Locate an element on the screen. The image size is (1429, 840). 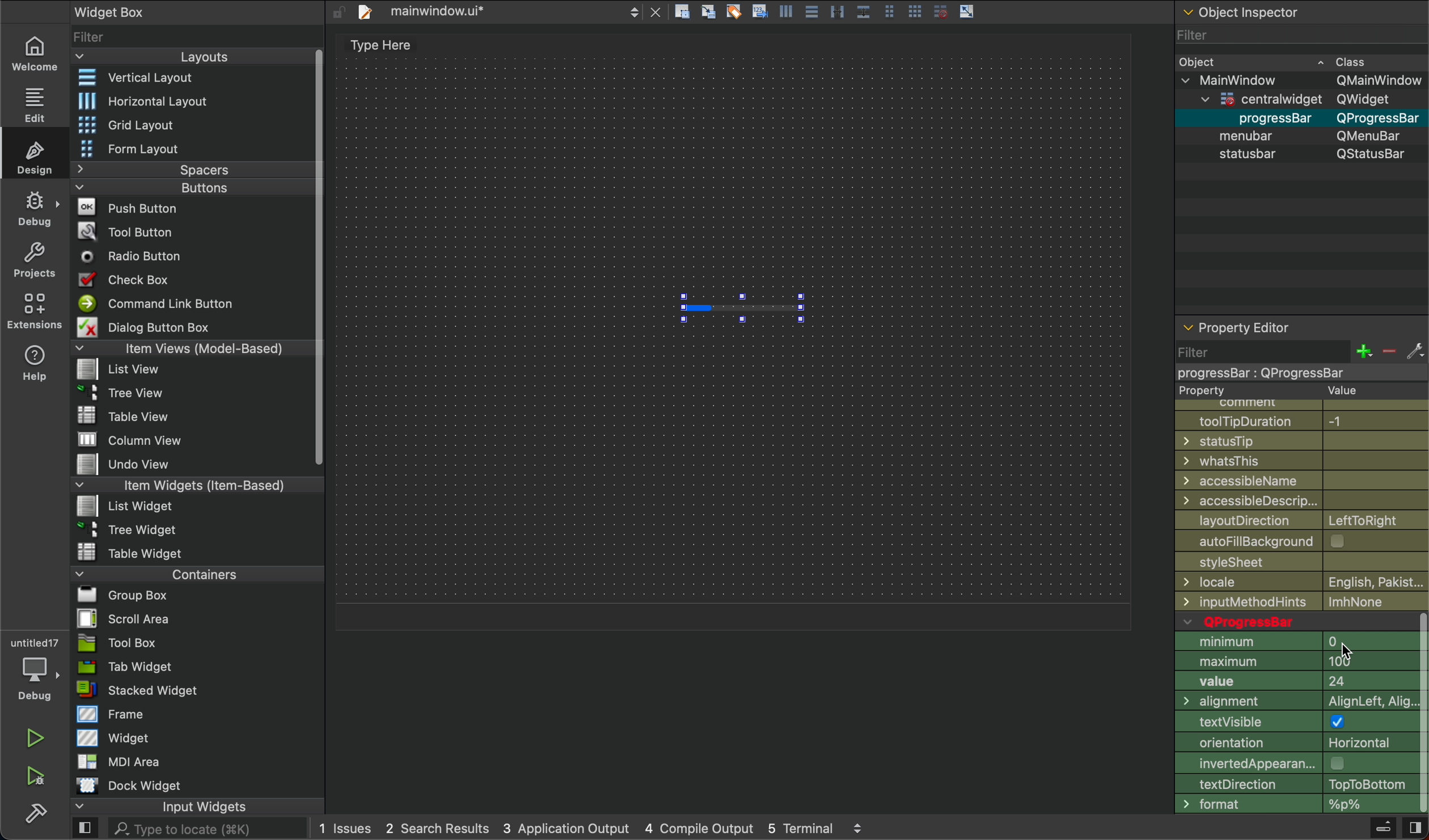
widget list is located at coordinates (191, 35).